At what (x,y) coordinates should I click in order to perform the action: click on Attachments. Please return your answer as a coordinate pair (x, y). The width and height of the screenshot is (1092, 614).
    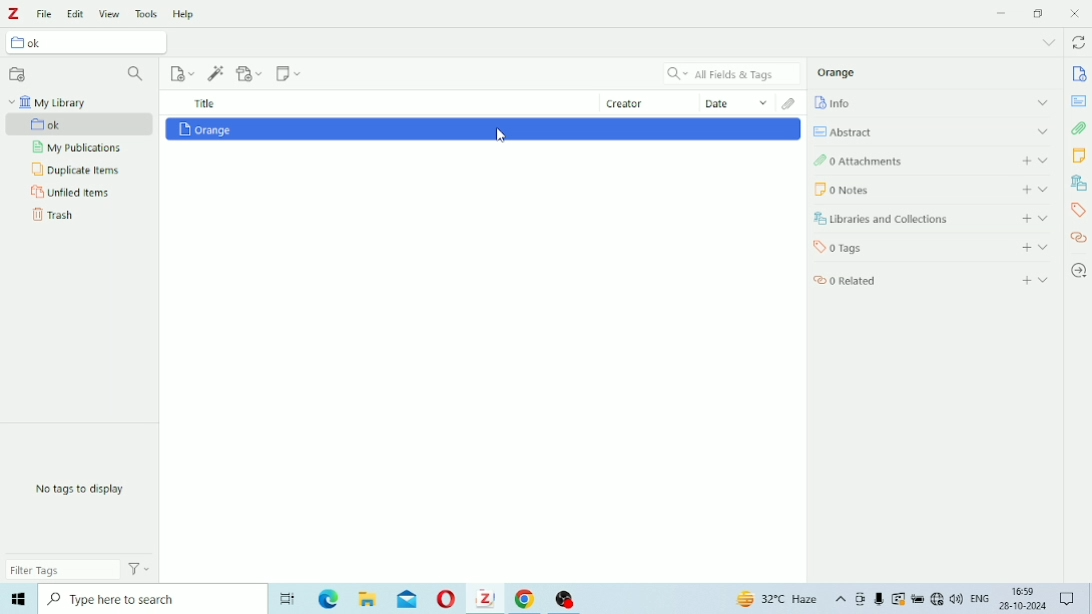
    Looking at the image, I should click on (1079, 128).